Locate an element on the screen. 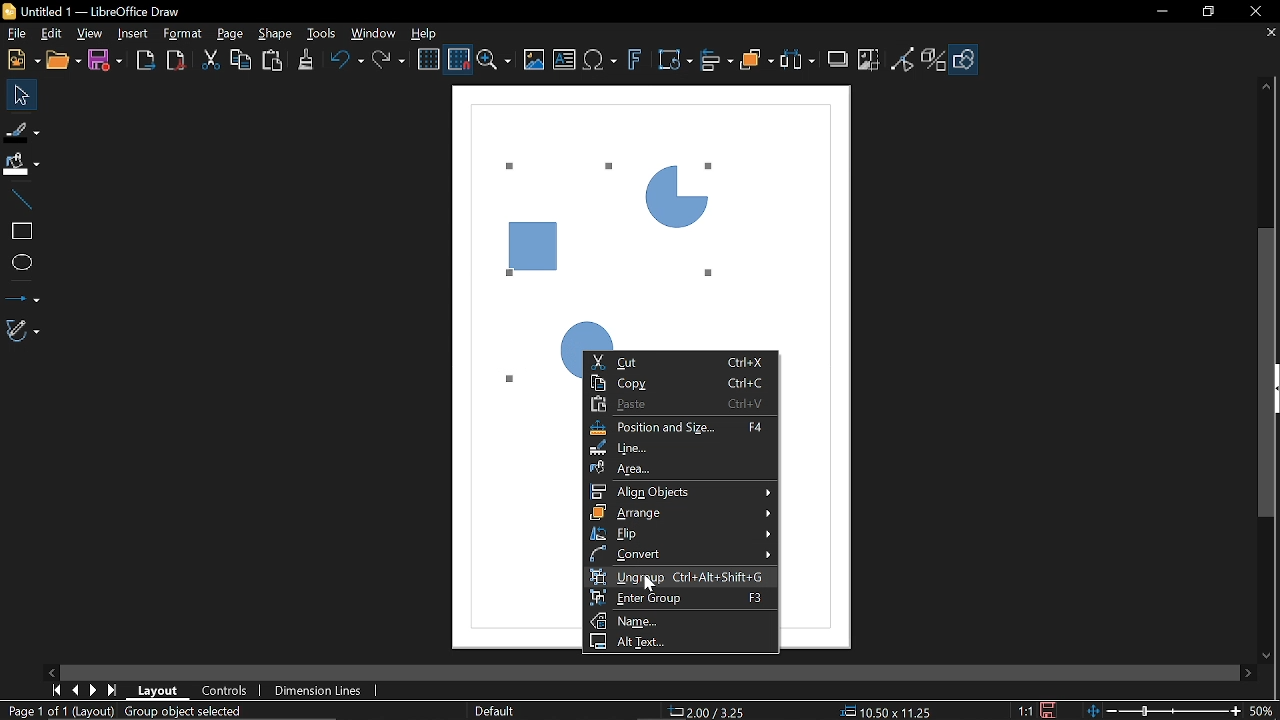  Save is located at coordinates (108, 62).